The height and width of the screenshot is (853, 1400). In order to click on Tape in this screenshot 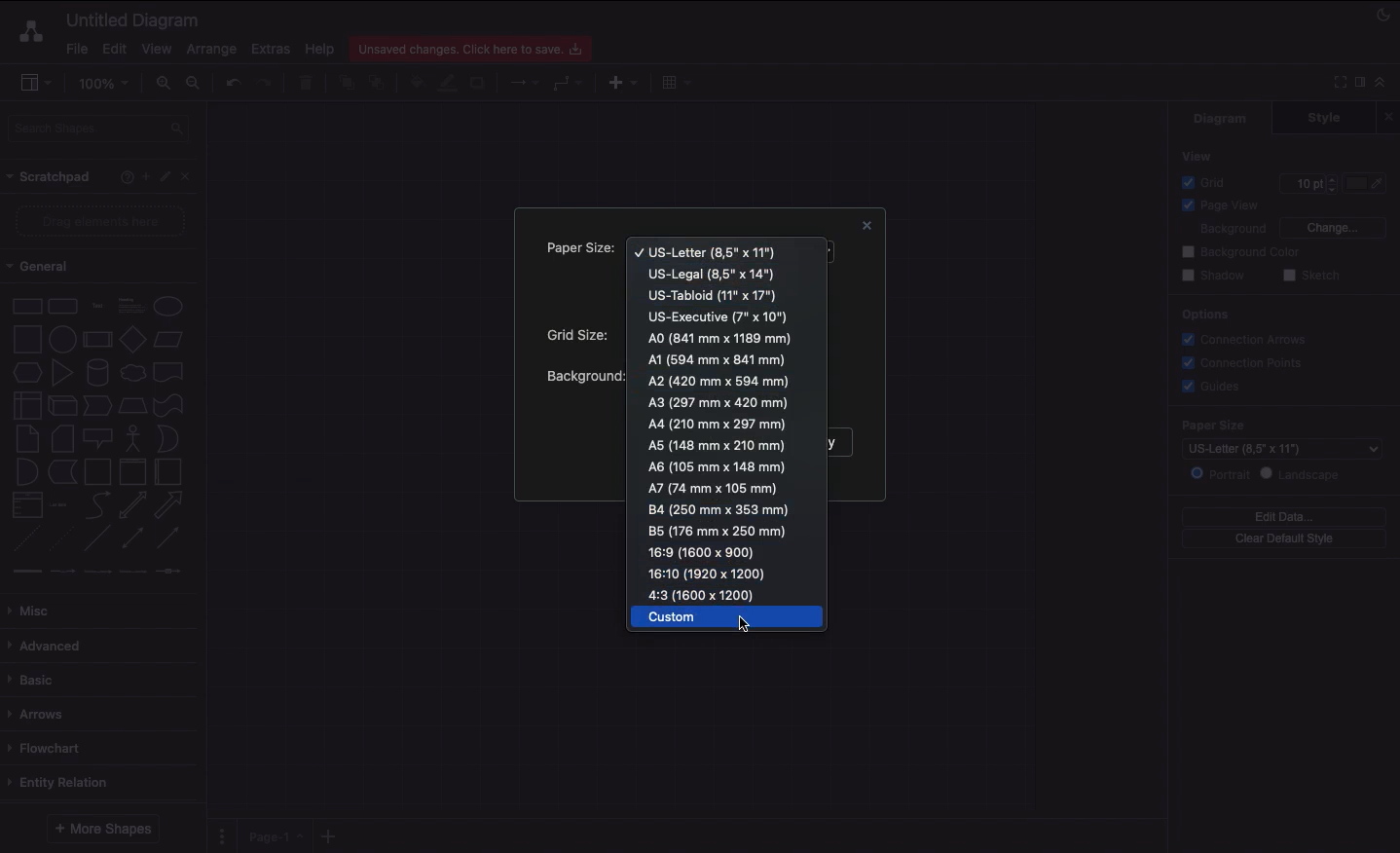, I will do `click(171, 404)`.